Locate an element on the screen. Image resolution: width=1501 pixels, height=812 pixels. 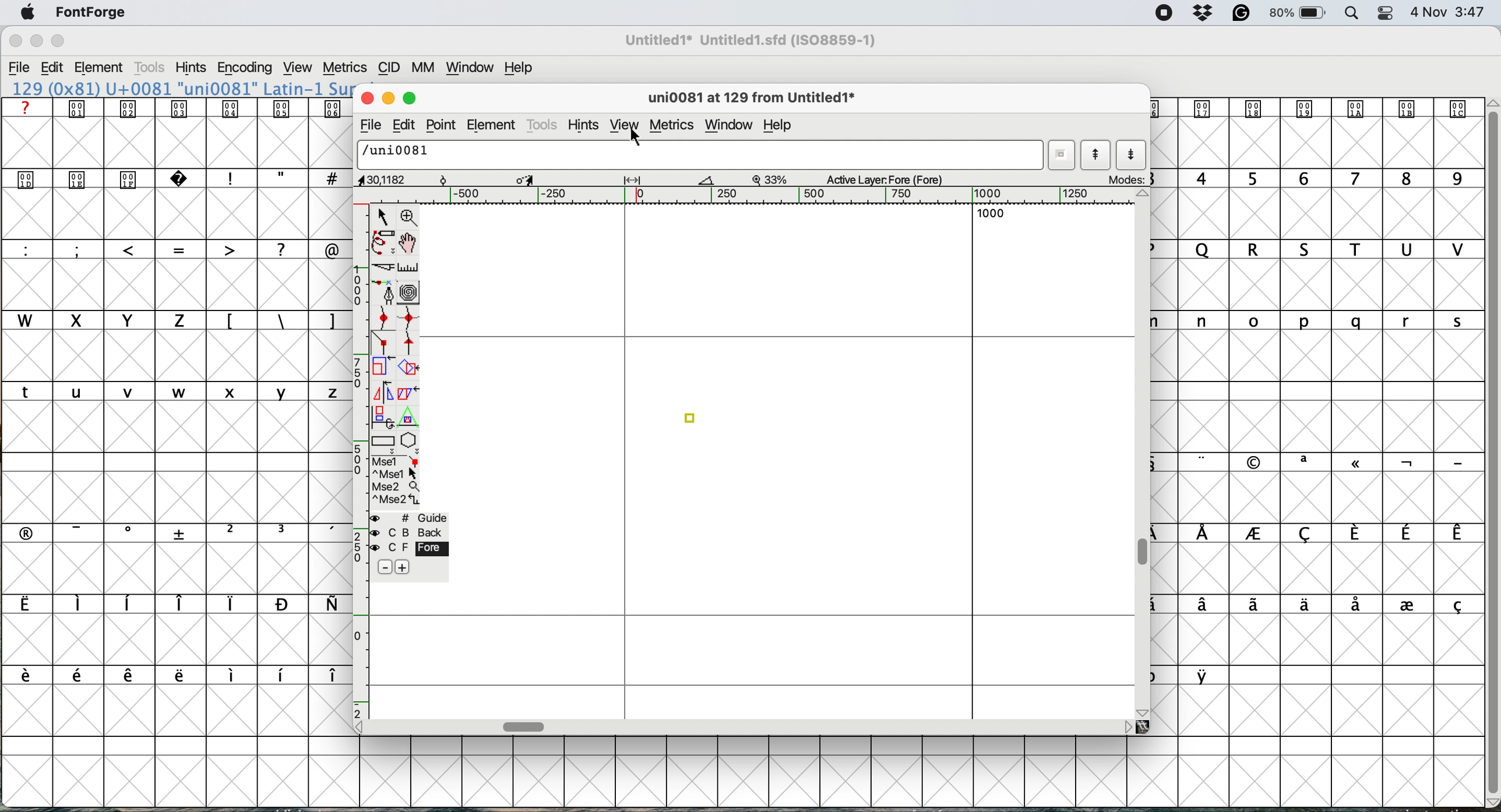
scroll by hand is located at coordinates (407, 242).